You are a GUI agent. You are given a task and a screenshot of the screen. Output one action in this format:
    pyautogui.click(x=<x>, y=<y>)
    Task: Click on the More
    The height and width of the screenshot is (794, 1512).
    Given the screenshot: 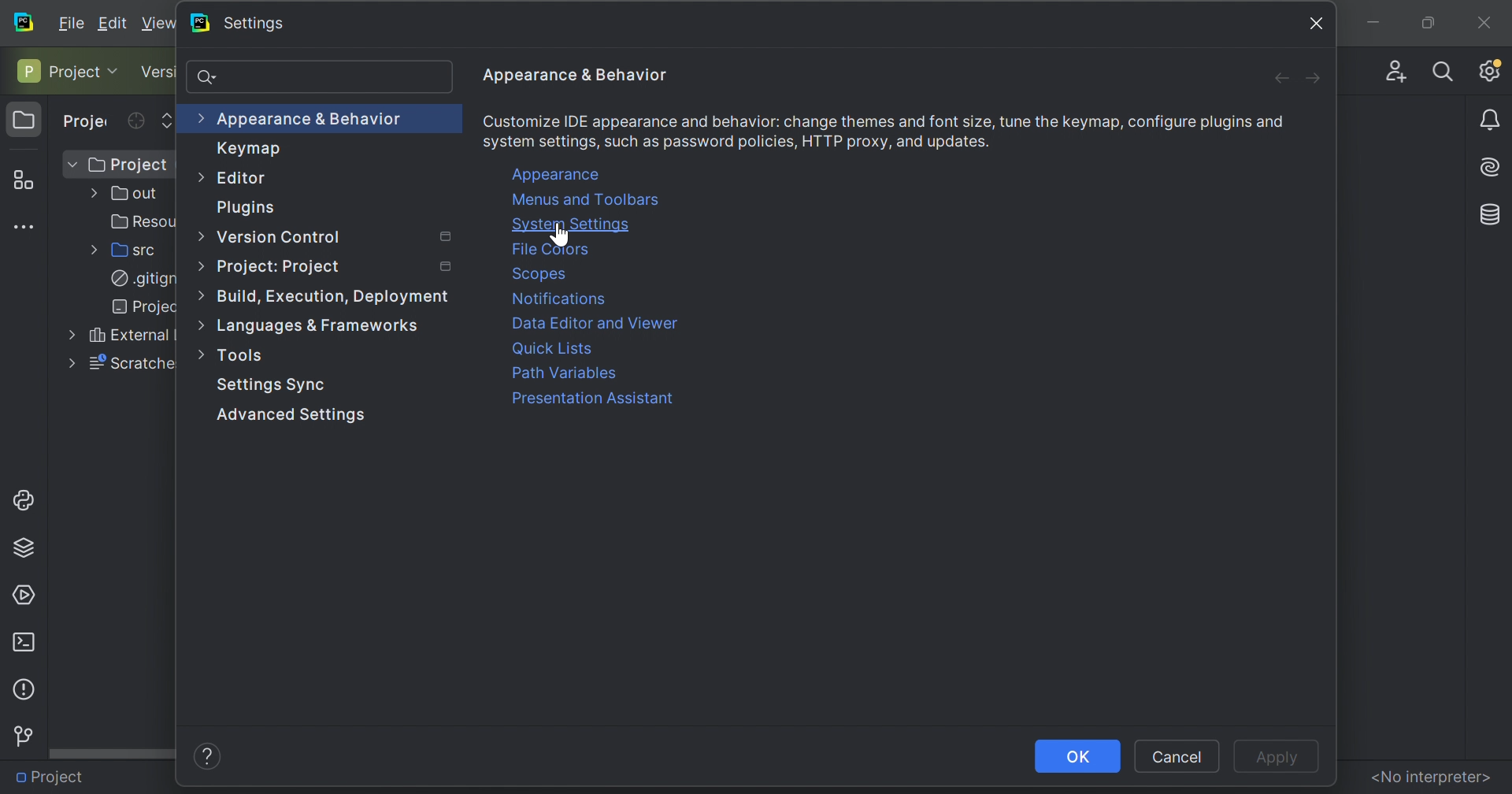 What is the action you would take?
    pyautogui.click(x=199, y=233)
    